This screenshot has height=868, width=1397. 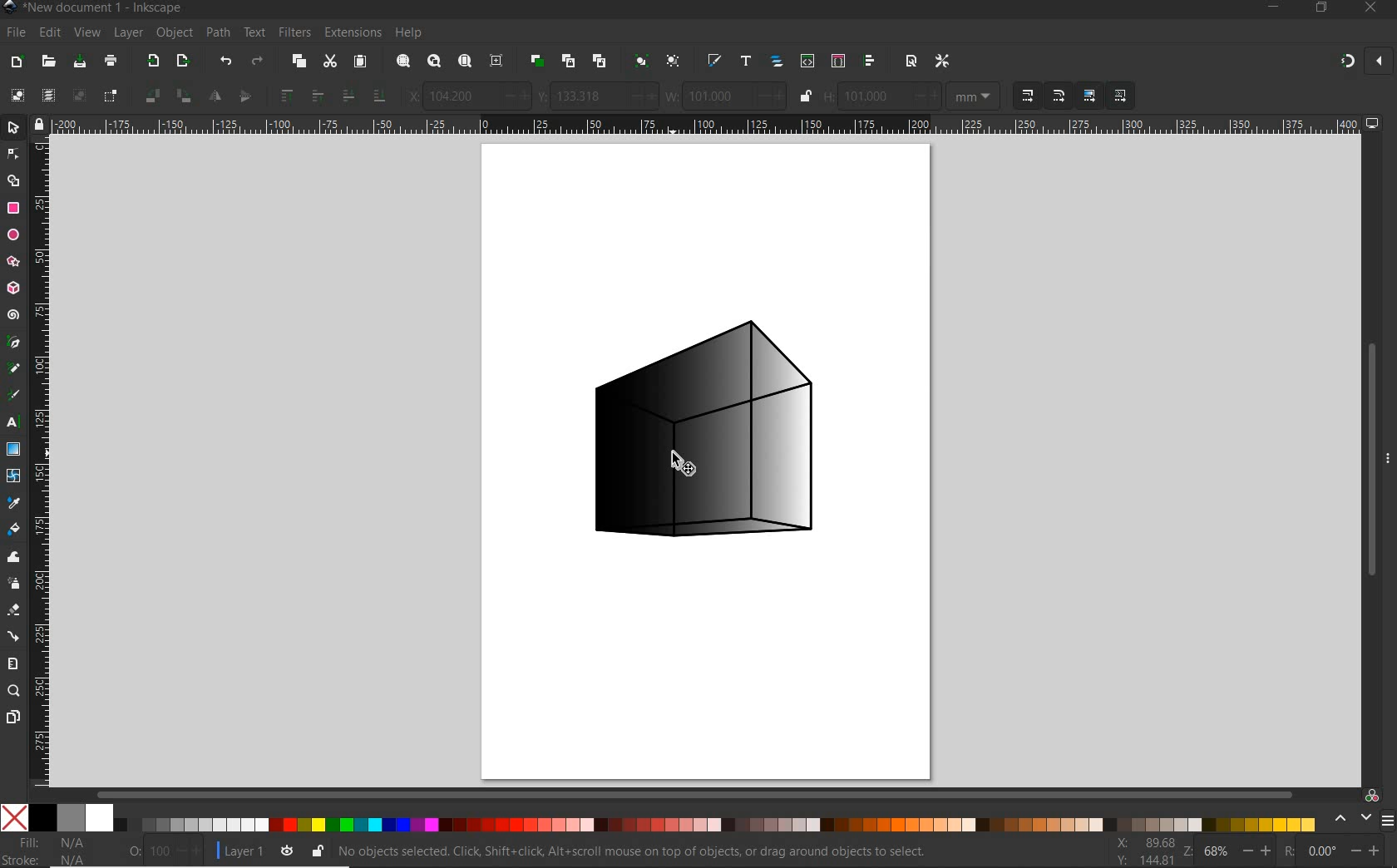 I want to click on HEIGHT OF SELECTION, so click(x=830, y=96).